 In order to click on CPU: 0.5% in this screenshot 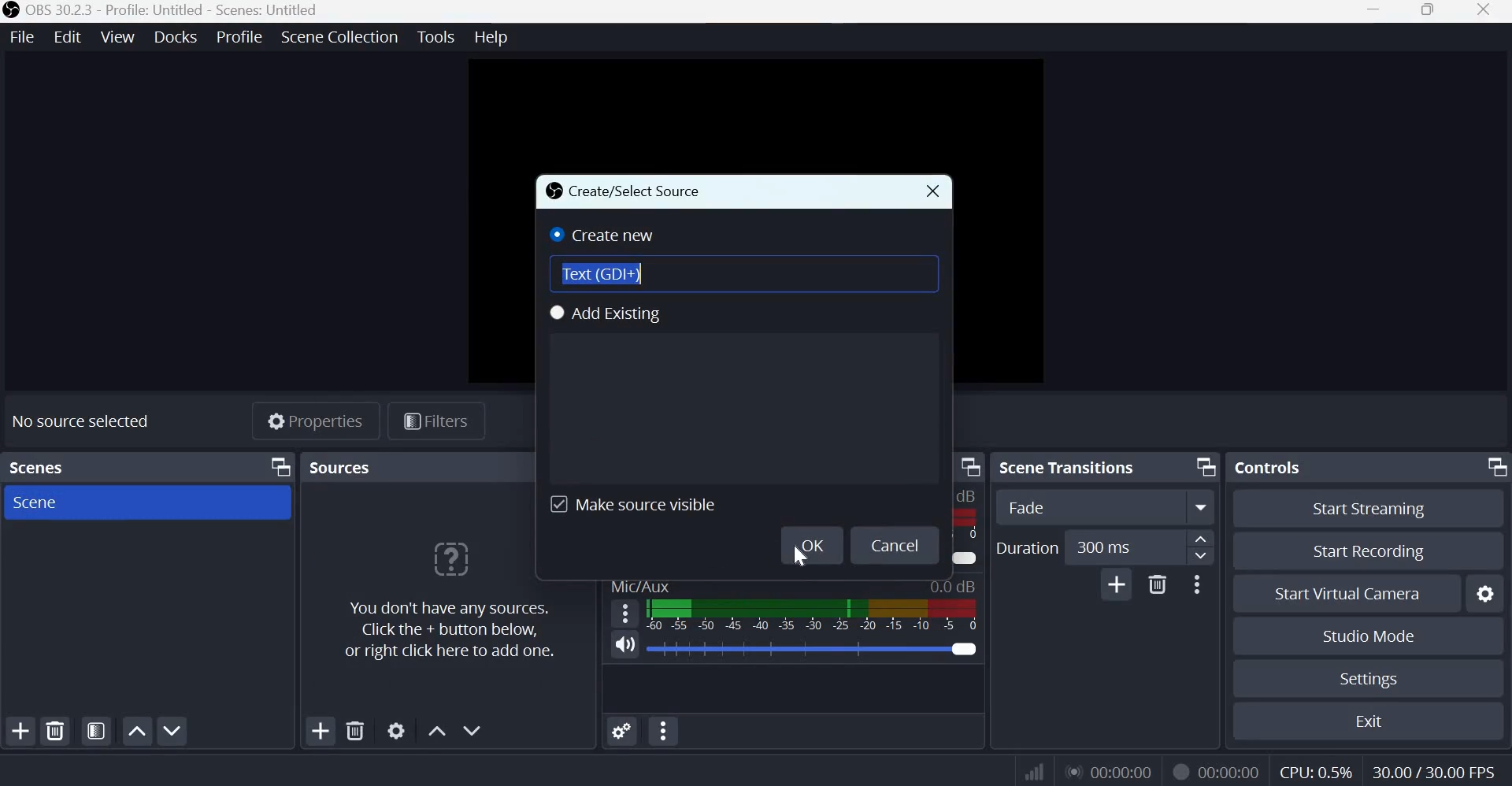, I will do `click(1317, 769)`.